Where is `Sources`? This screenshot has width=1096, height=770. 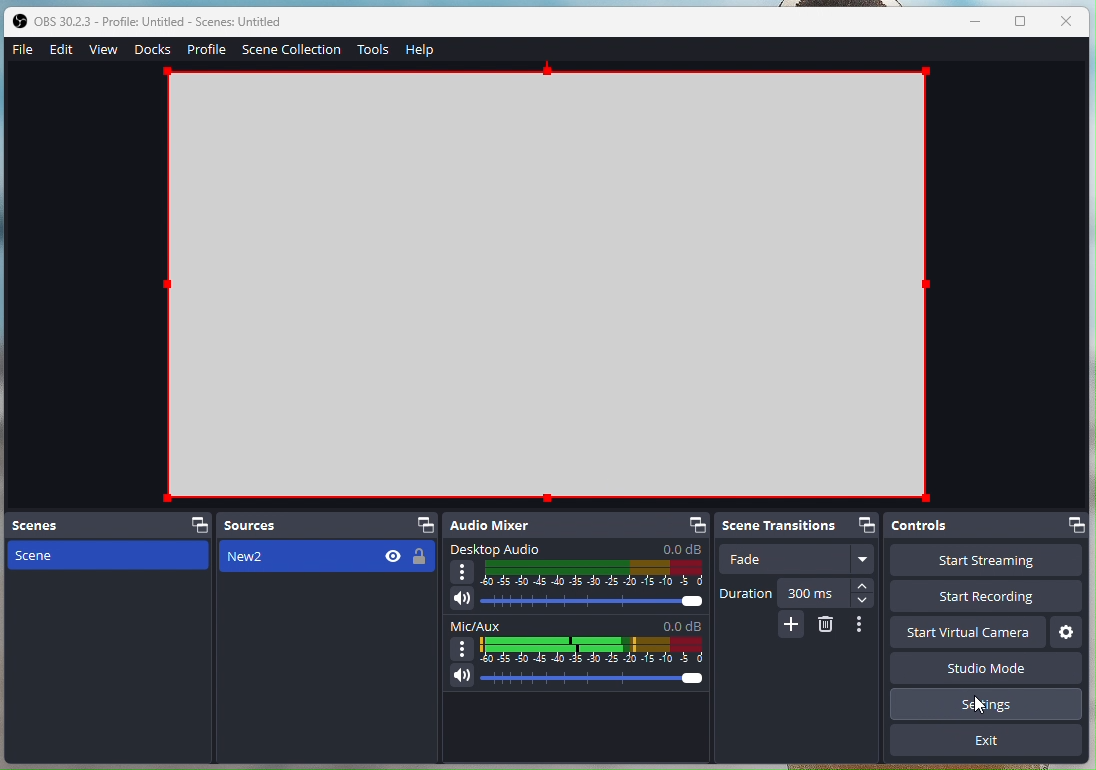 Sources is located at coordinates (285, 524).